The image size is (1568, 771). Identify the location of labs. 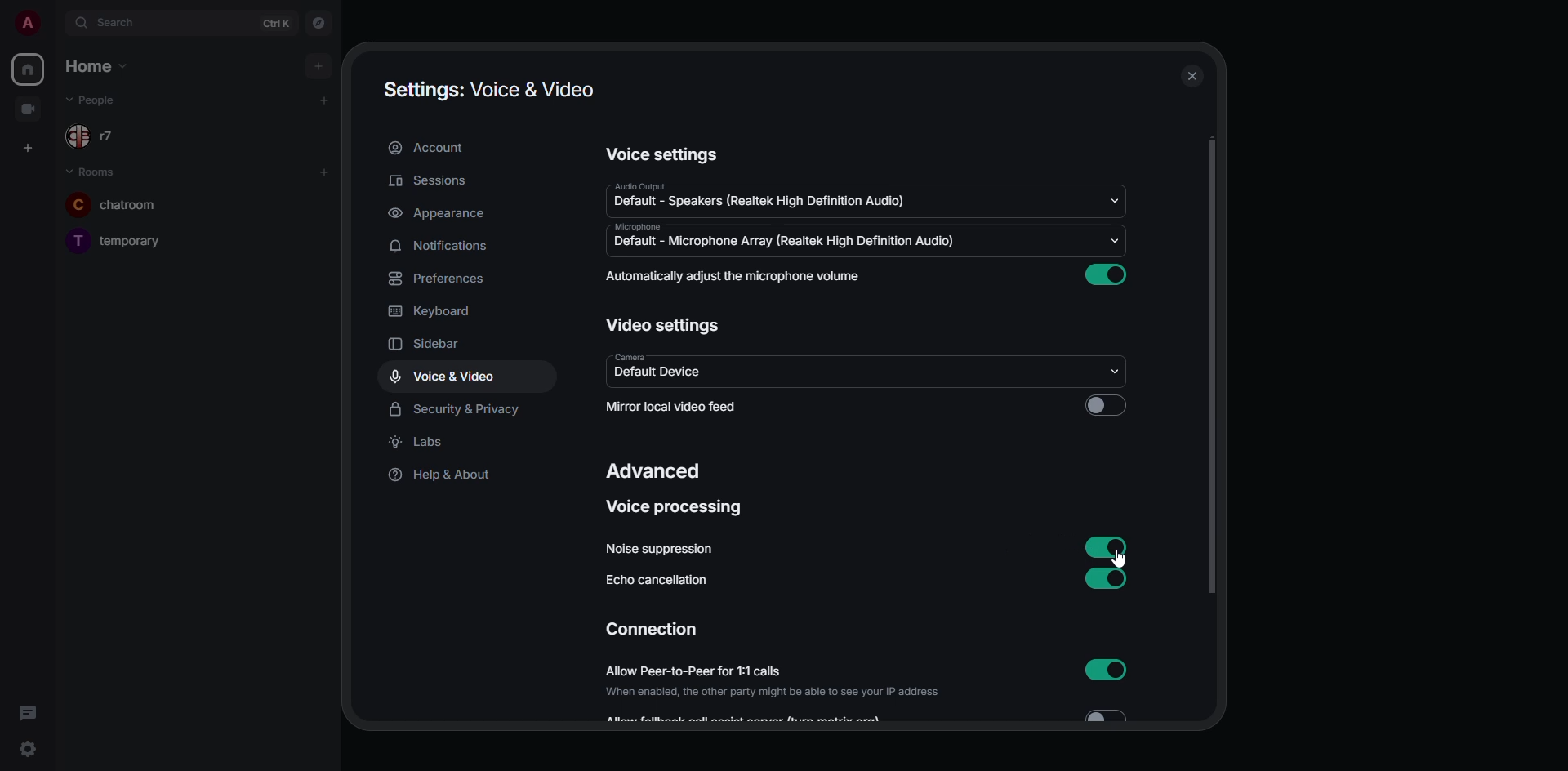
(419, 443).